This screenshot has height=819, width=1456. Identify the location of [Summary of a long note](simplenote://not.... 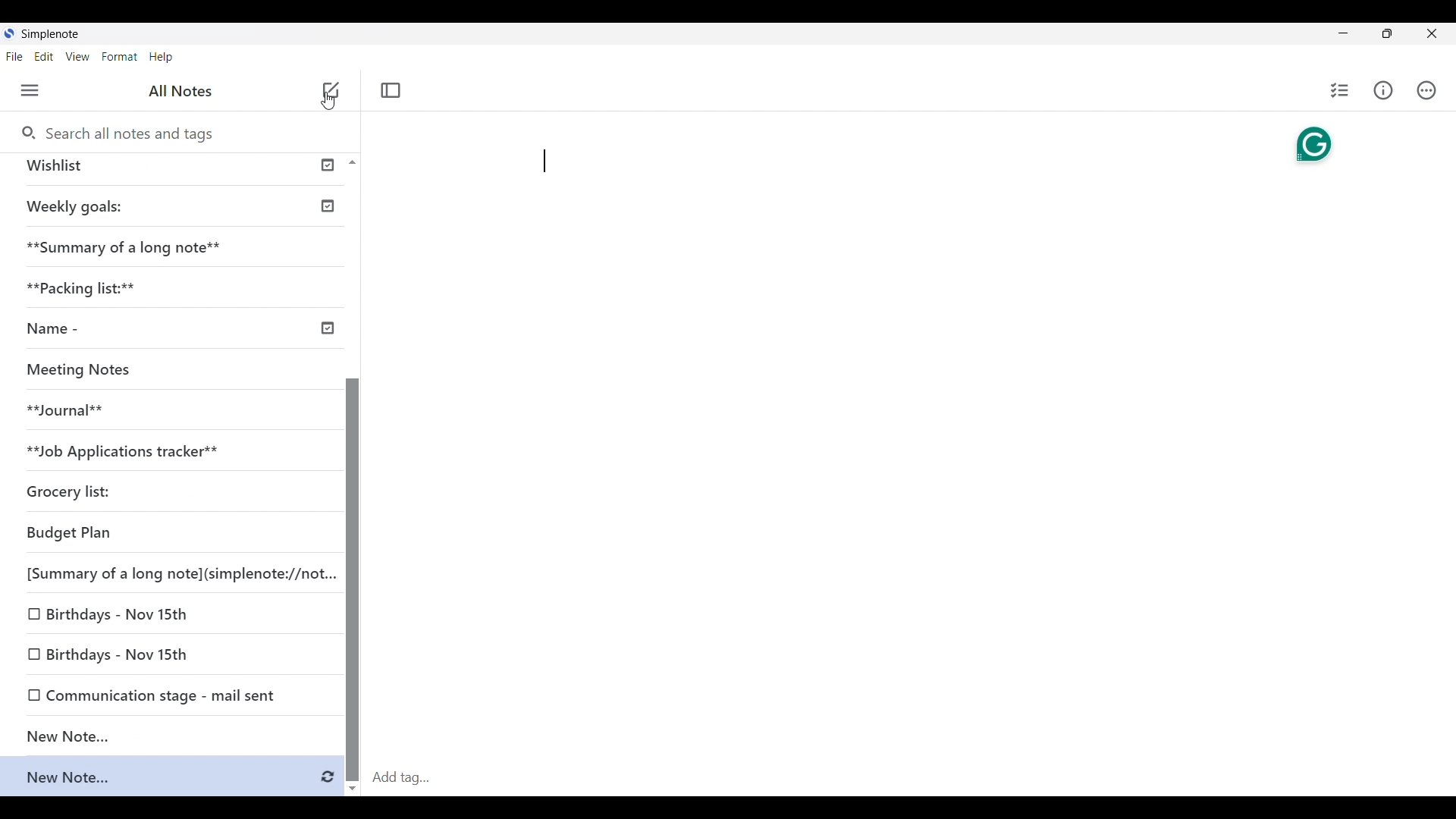
(180, 574).